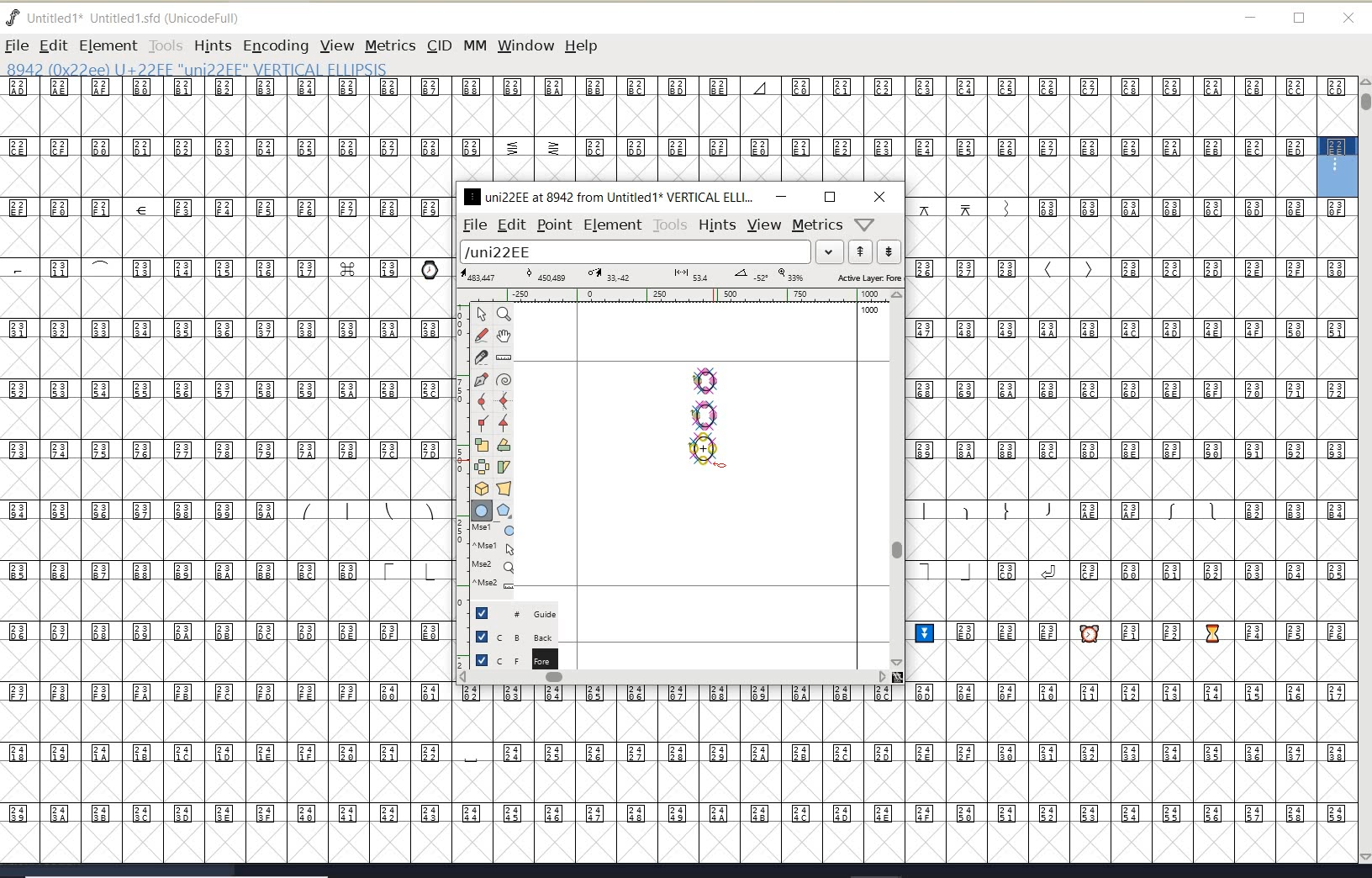 This screenshot has height=878, width=1372. Describe the element at coordinates (472, 225) in the screenshot. I see `file` at that location.